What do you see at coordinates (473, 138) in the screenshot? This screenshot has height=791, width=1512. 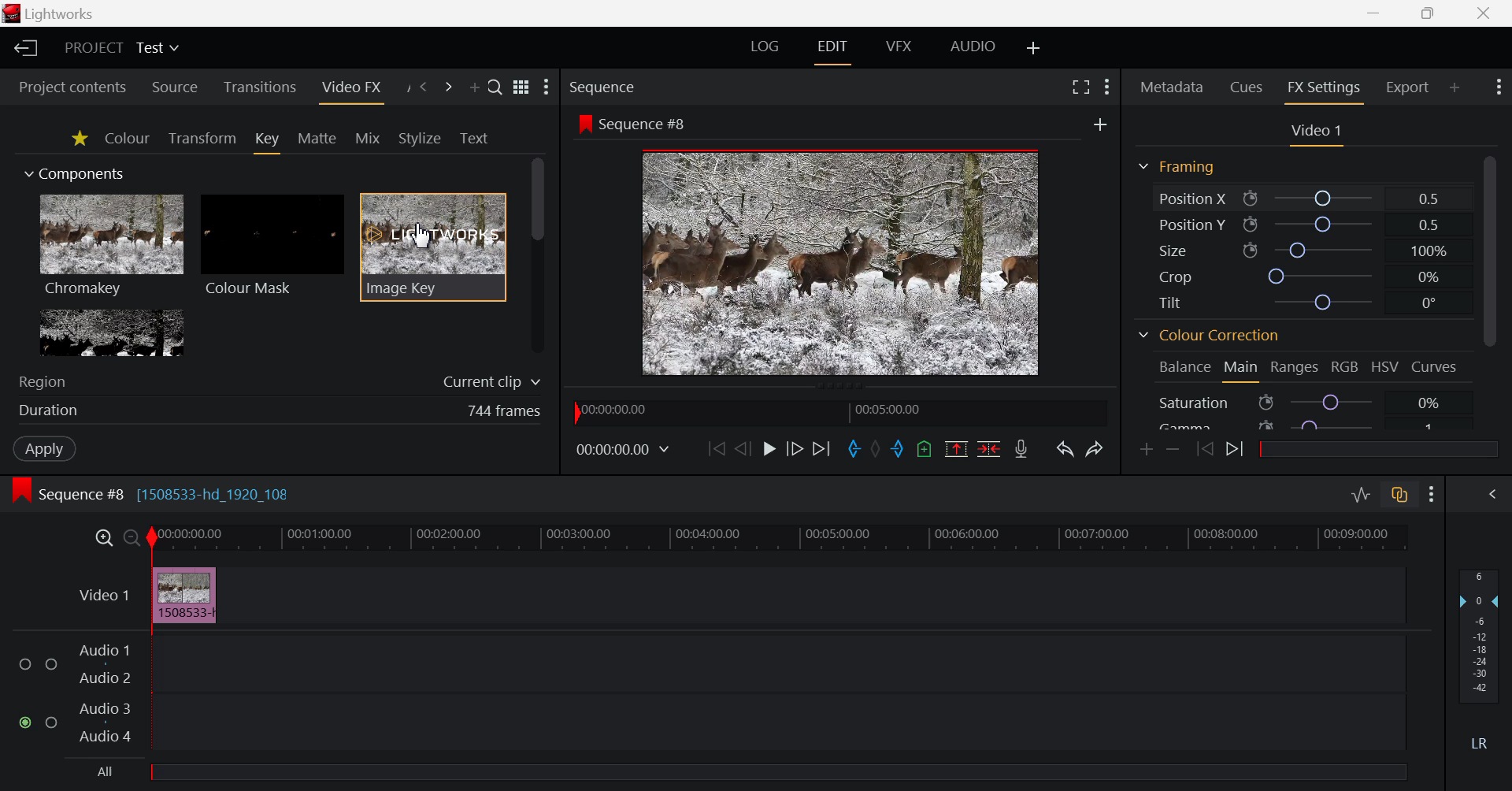 I see `Text` at bounding box center [473, 138].